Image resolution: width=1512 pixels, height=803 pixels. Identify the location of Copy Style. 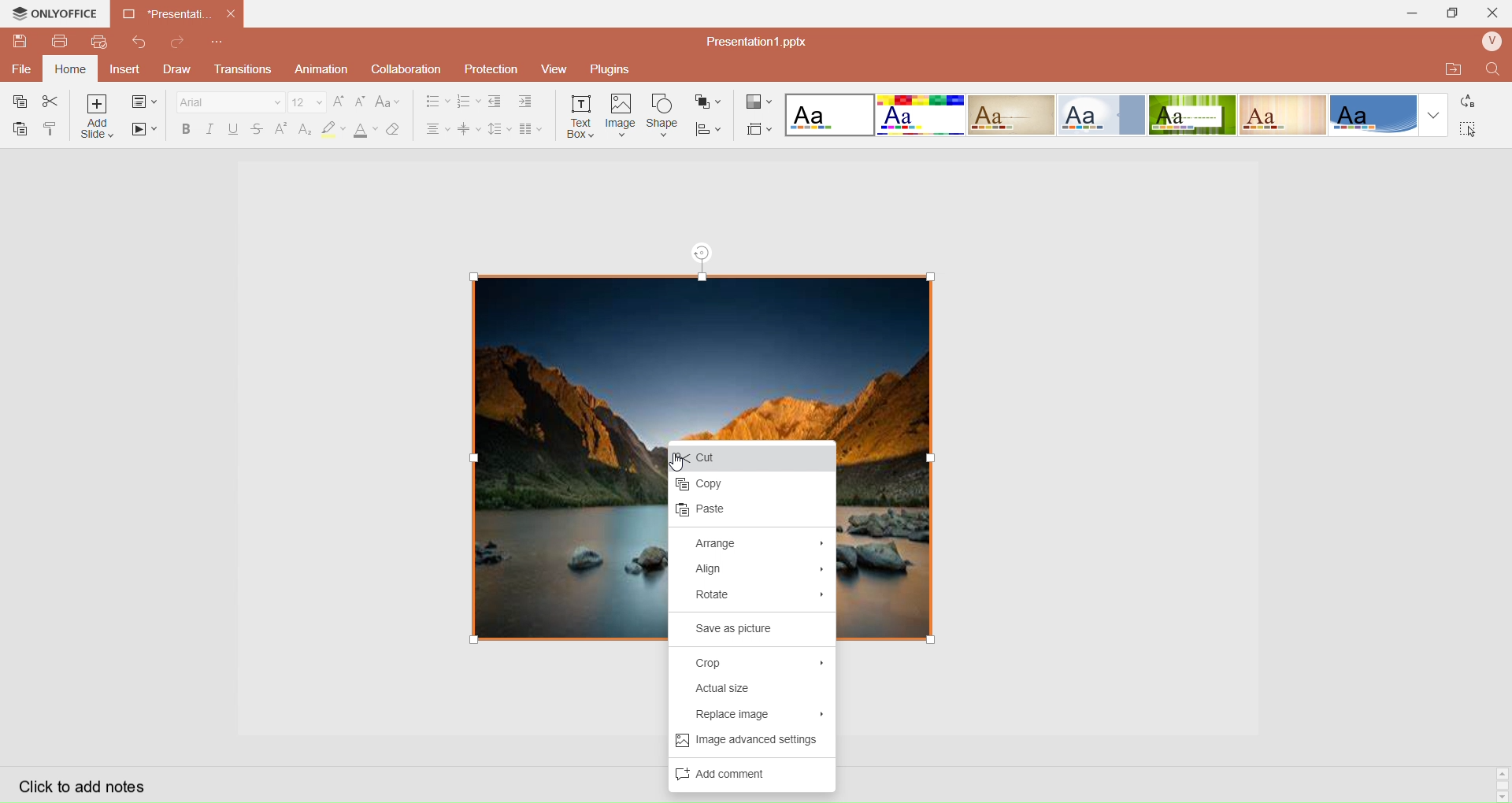
(56, 130).